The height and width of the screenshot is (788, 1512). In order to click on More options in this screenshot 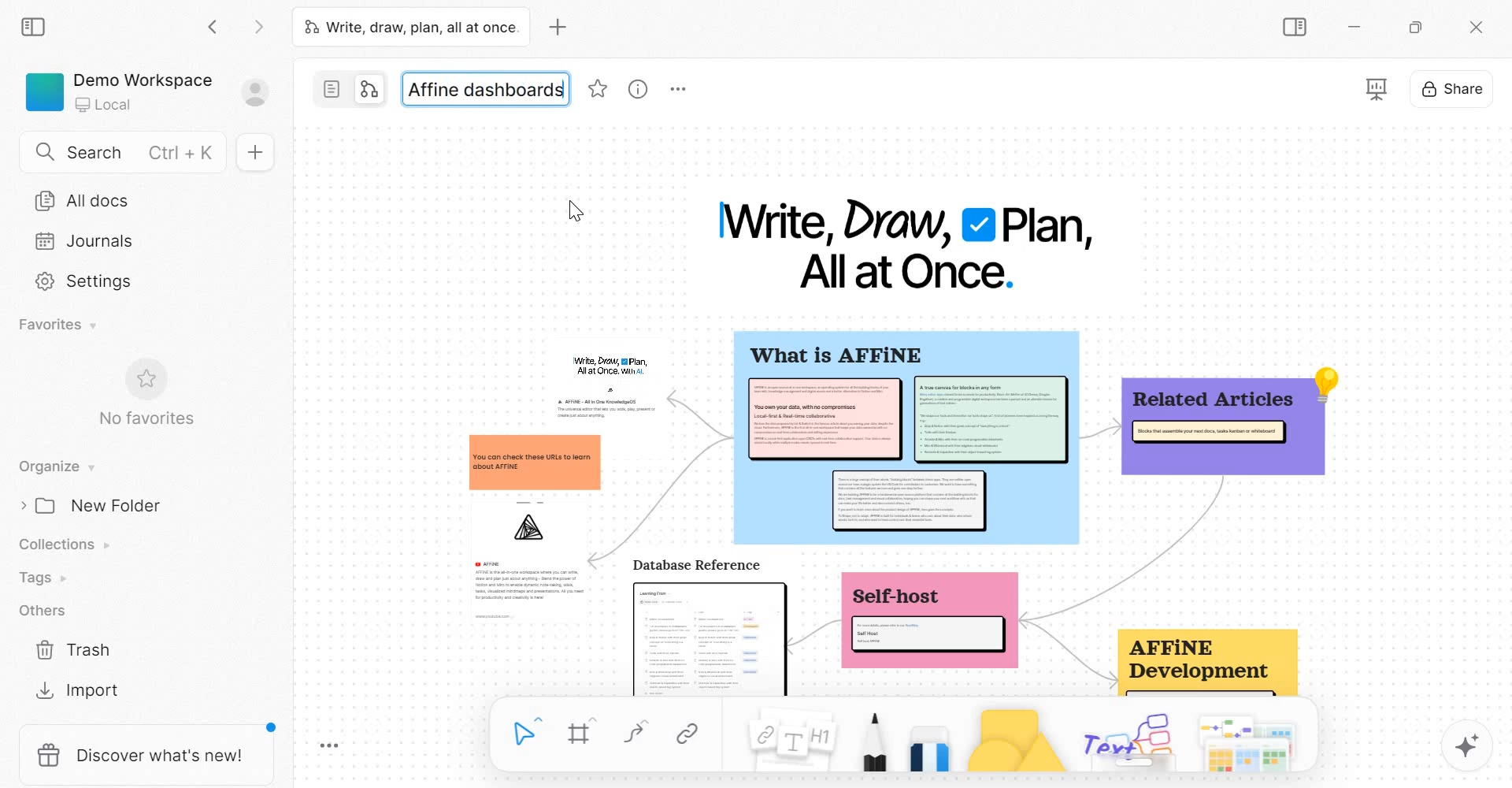, I will do `click(681, 91)`.